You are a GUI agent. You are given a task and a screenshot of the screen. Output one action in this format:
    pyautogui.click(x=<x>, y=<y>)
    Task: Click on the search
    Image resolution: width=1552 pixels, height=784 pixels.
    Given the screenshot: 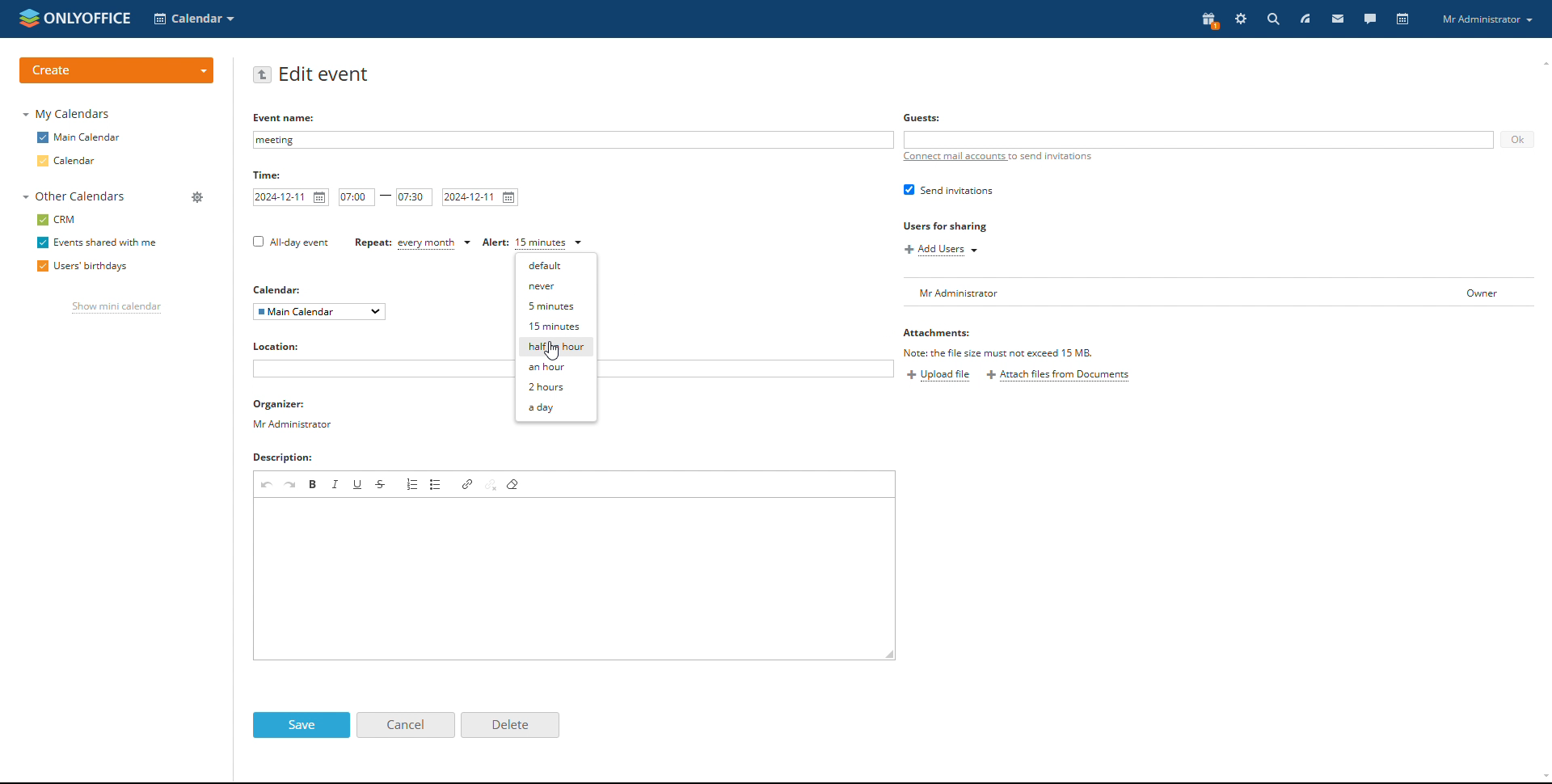 What is the action you would take?
    pyautogui.click(x=1272, y=19)
    